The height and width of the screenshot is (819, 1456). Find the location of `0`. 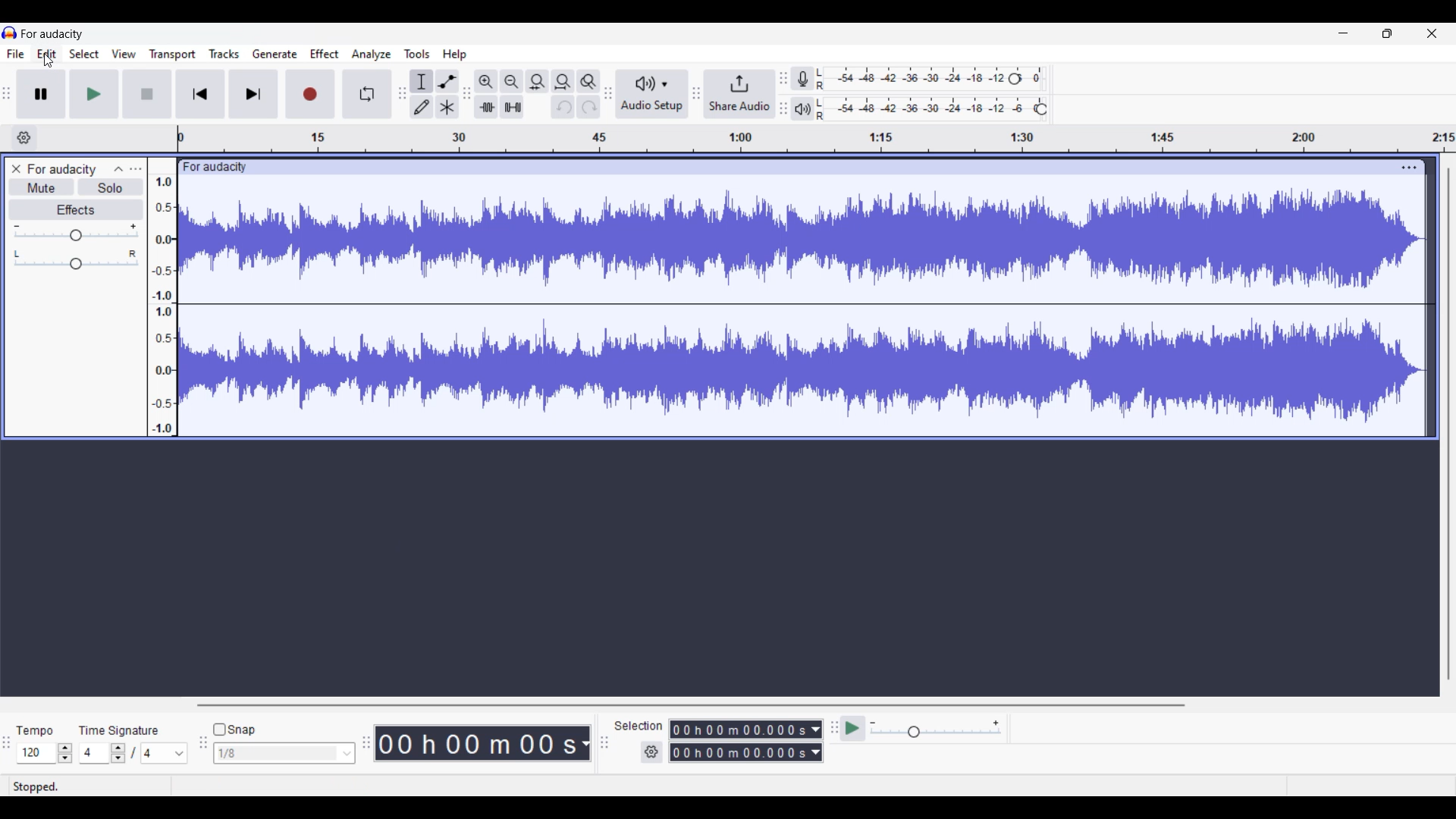

0 is located at coordinates (1040, 74).